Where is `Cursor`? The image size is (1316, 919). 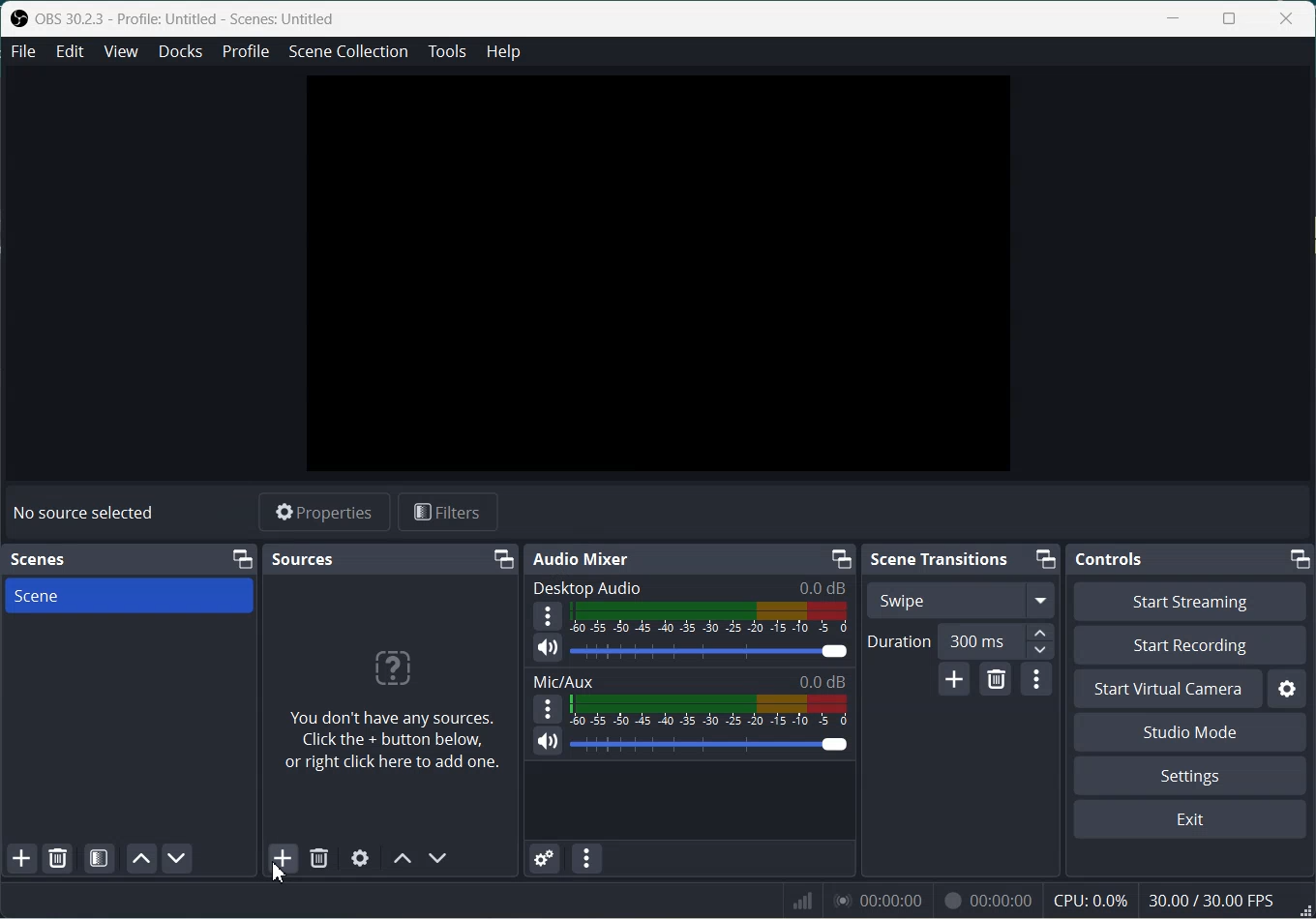 Cursor is located at coordinates (277, 875).